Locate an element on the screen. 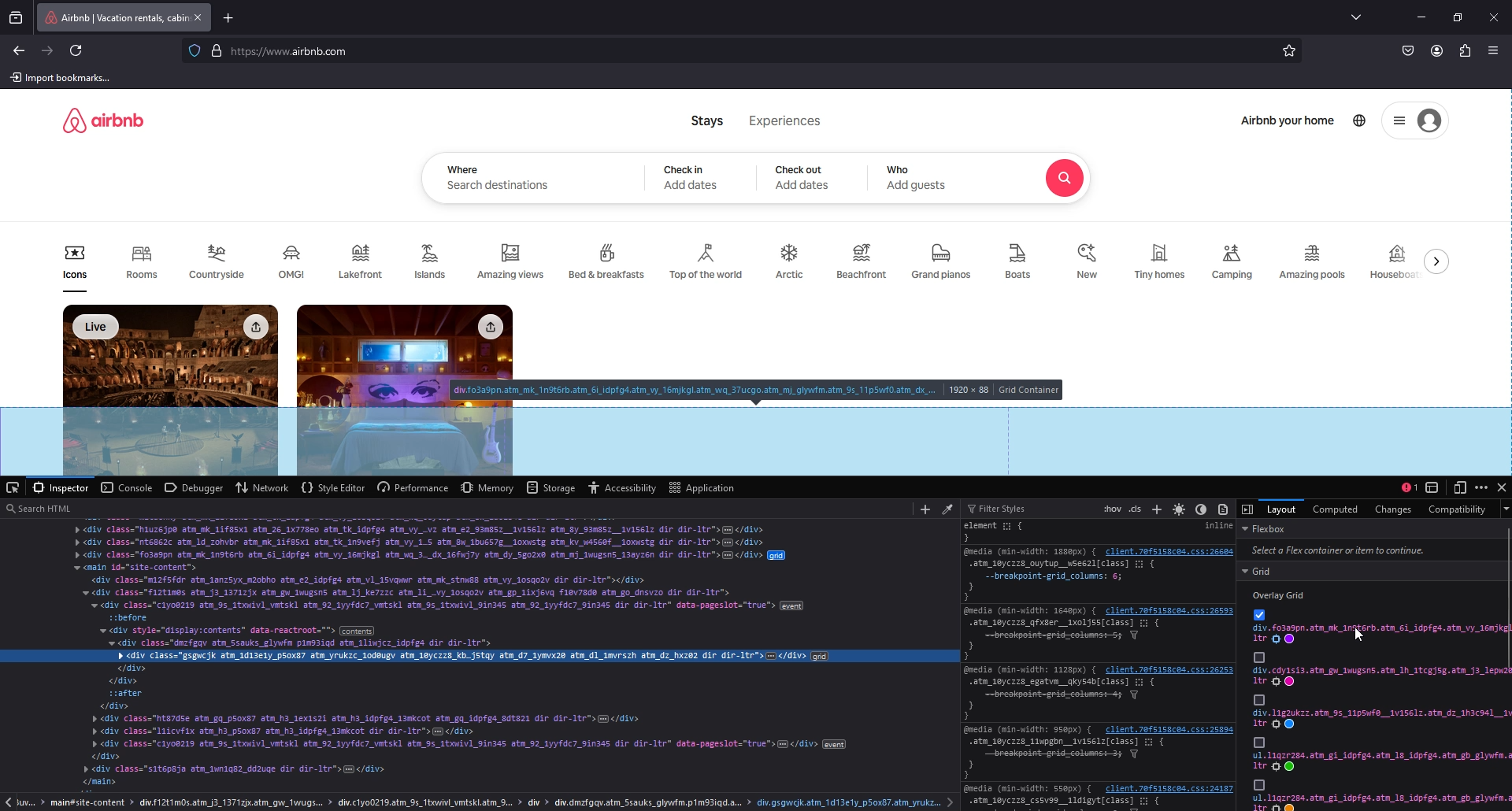  toggle off 3 pane is located at coordinates (1248, 509).